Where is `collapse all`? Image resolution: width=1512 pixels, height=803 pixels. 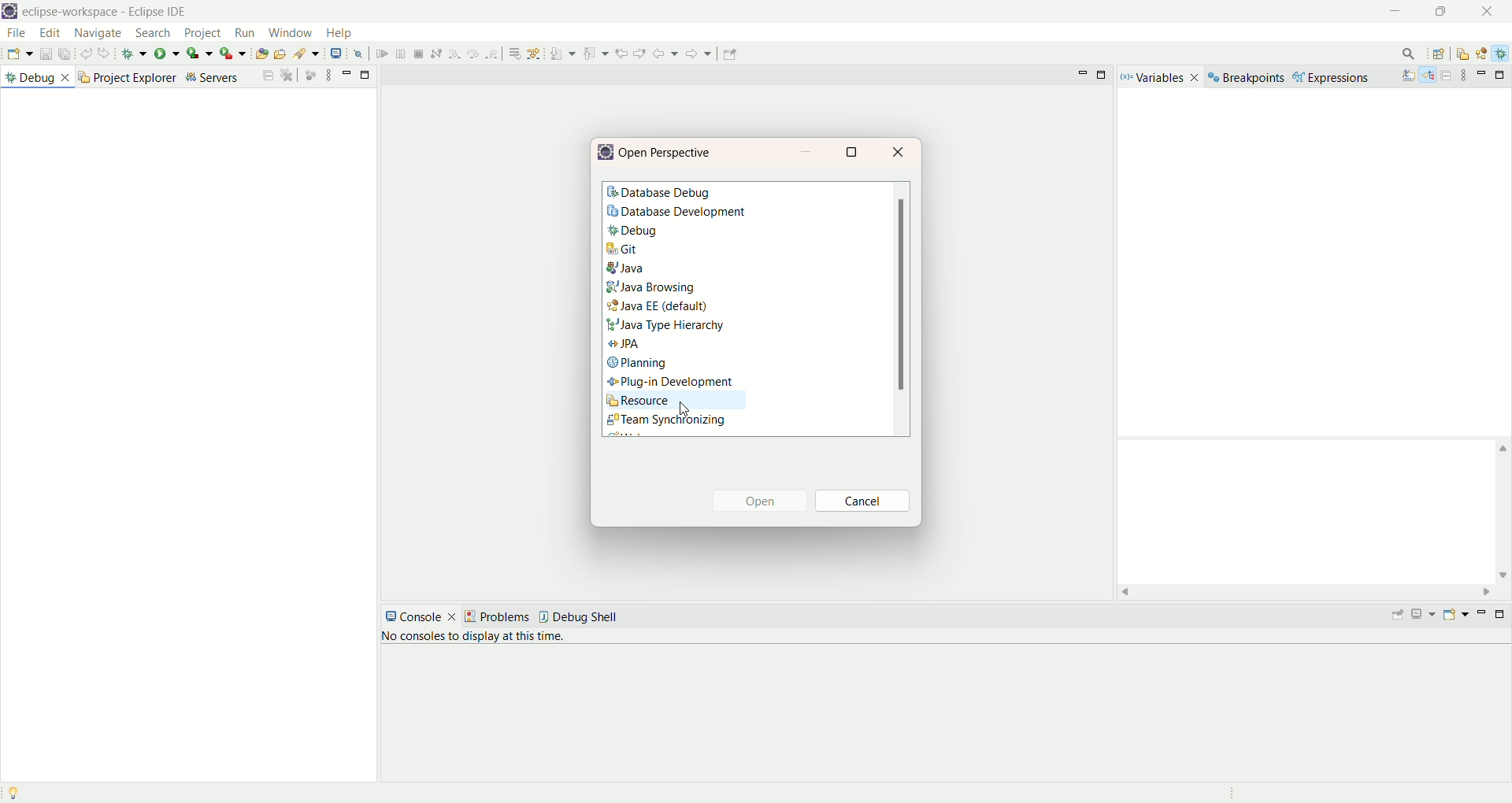 collapse all is located at coordinates (1447, 76).